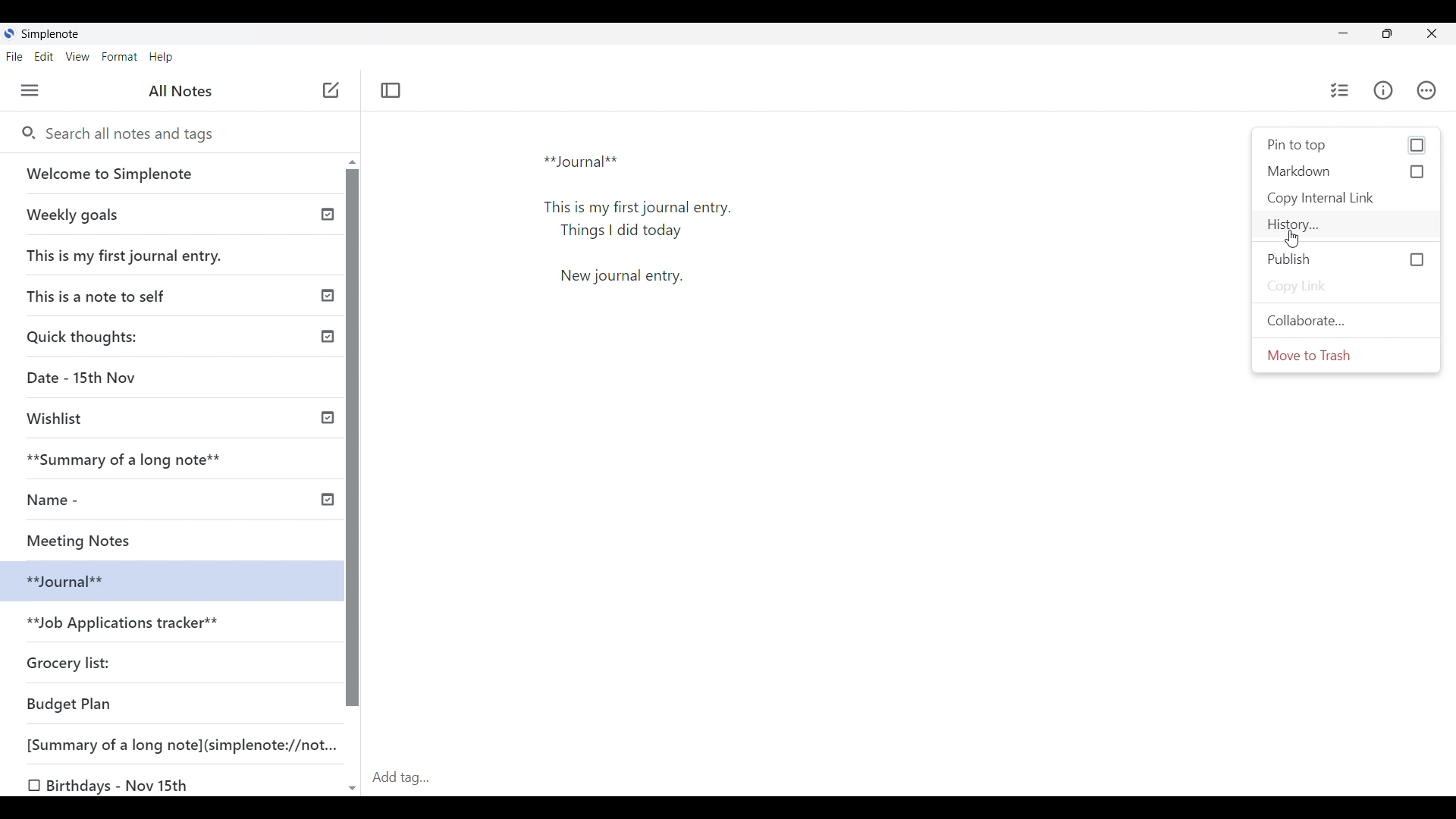 This screenshot has height=819, width=1456. What do you see at coordinates (134, 459) in the screenshot?
I see `**Summary of a long note**` at bounding box center [134, 459].